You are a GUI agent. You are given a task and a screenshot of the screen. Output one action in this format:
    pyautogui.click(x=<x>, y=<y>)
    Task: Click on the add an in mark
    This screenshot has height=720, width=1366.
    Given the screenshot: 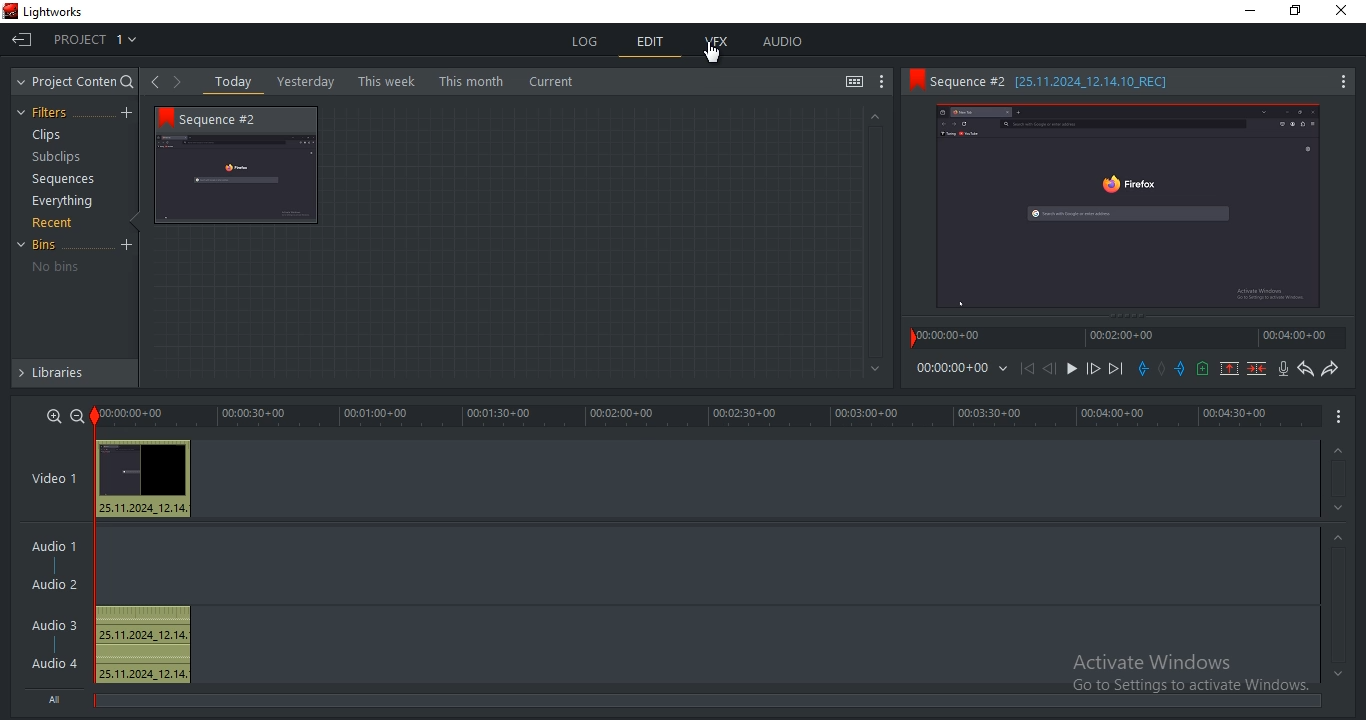 What is the action you would take?
    pyautogui.click(x=1142, y=369)
    